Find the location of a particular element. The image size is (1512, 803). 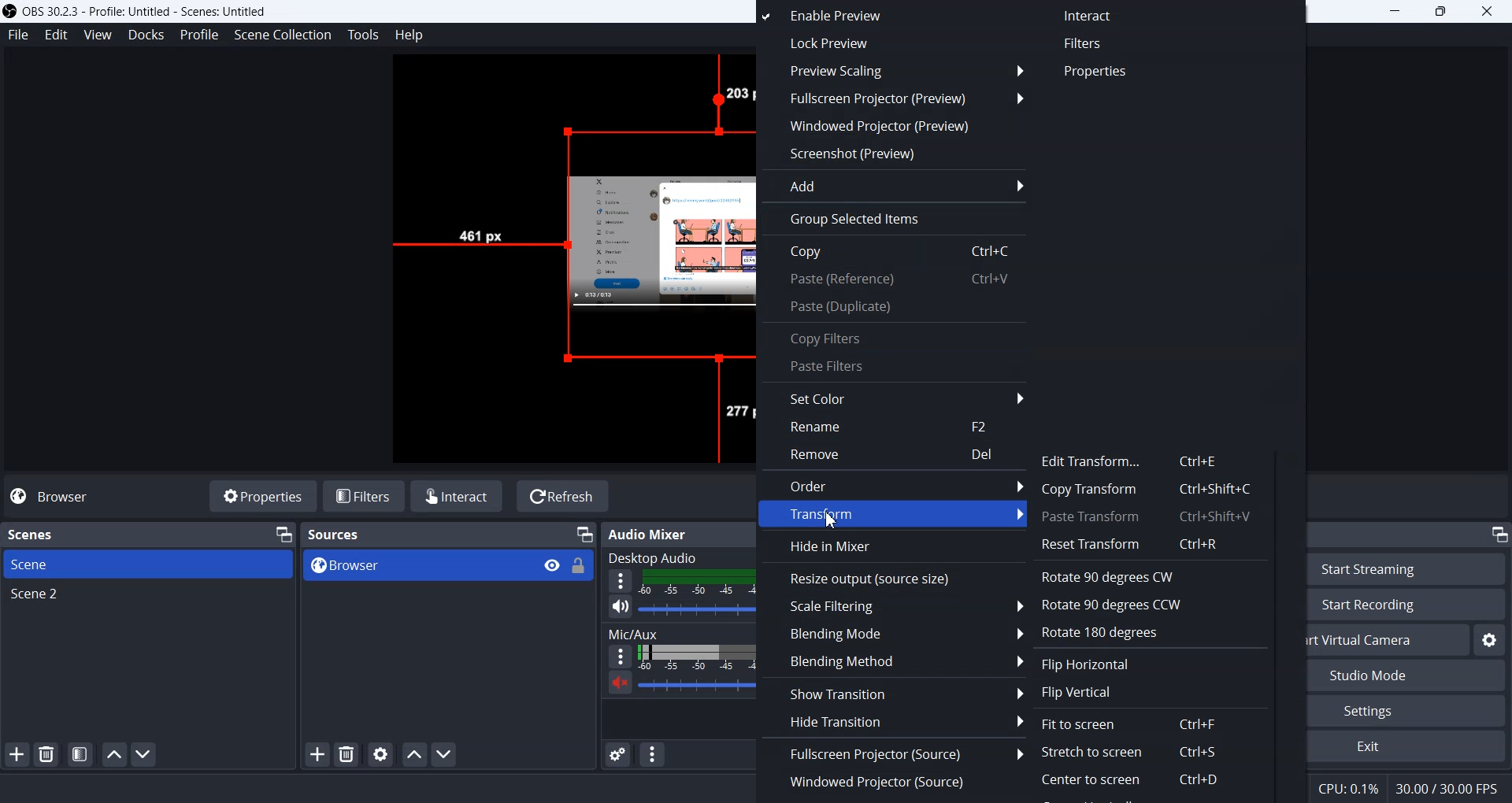

Fullscreen Projector(Source) is located at coordinates (893, 755).